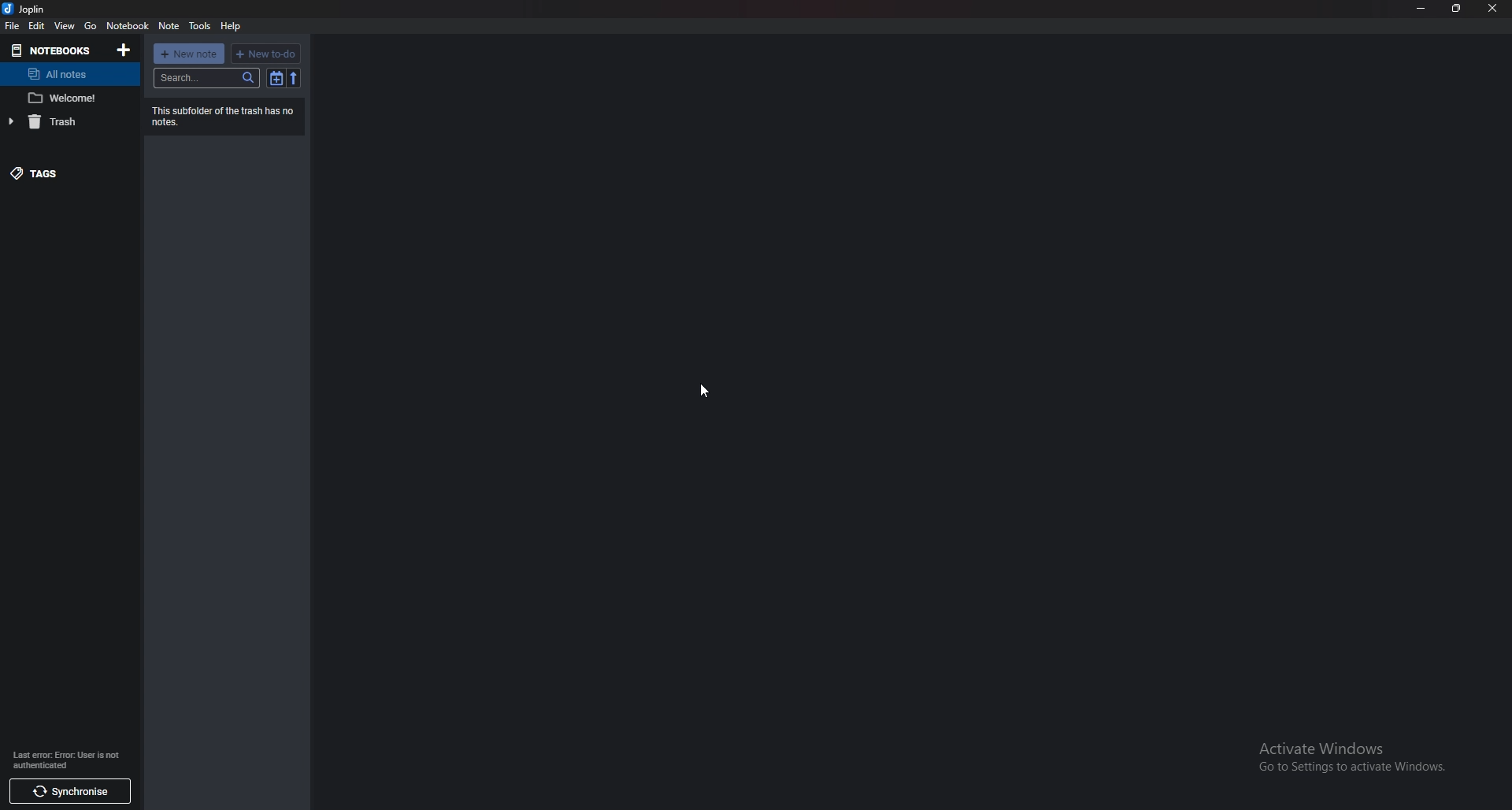  Describe the element at coordinates (29, 9) in the screenshot. I see `joplin` at that location.